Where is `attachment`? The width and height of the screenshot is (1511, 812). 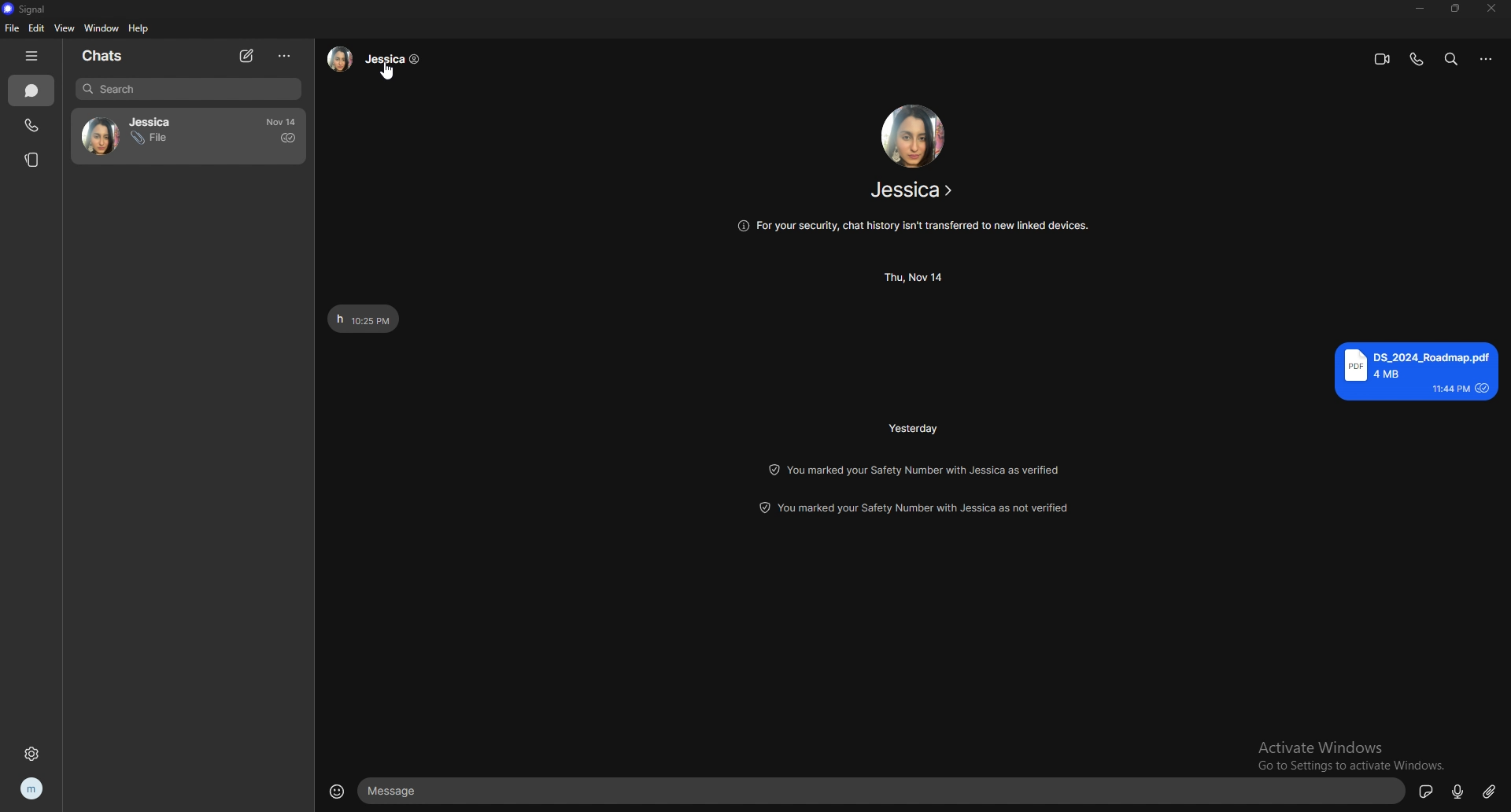 attachment is located at coordinates (1487, 790).